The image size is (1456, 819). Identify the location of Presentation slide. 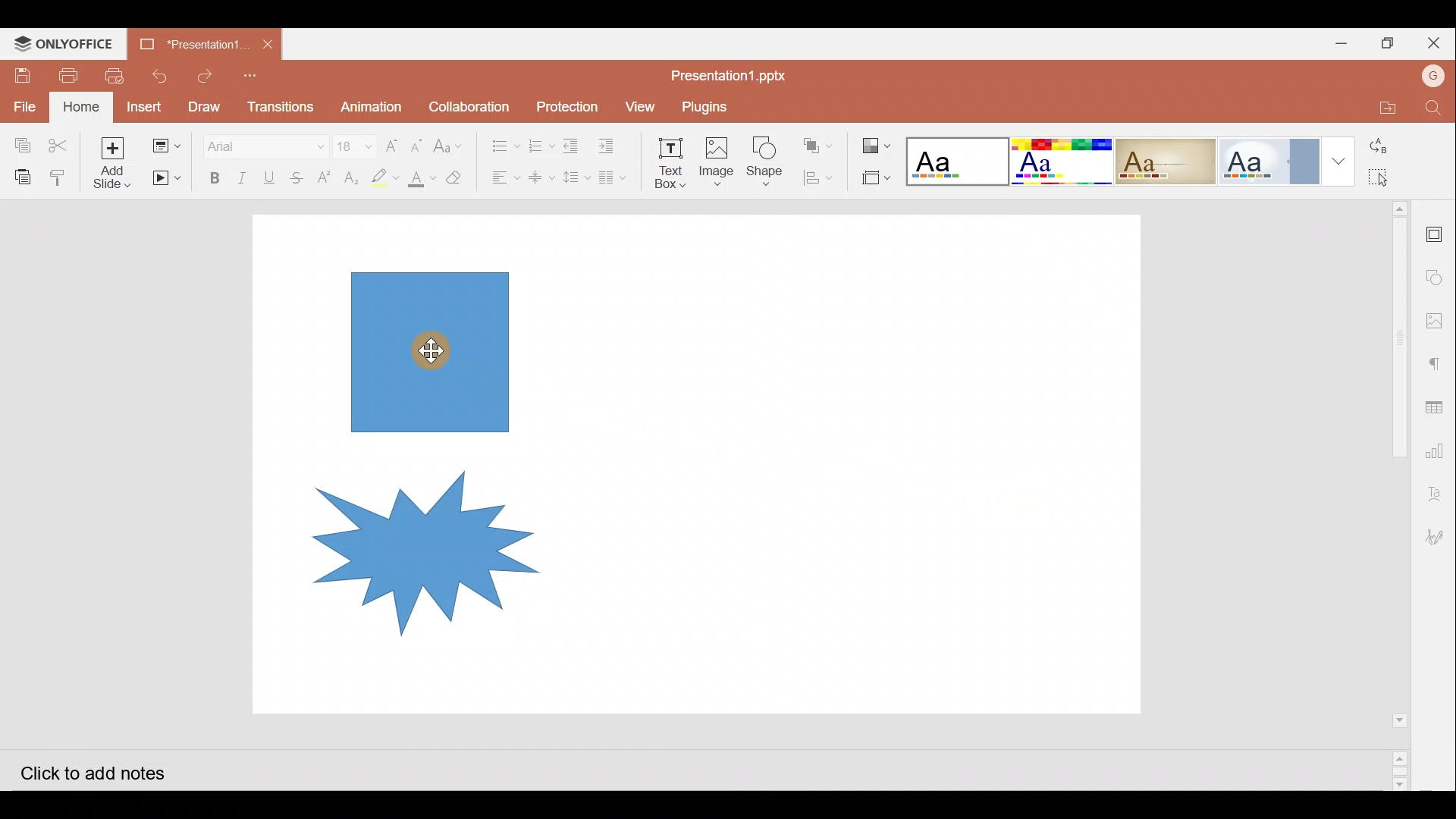
(864, 464).